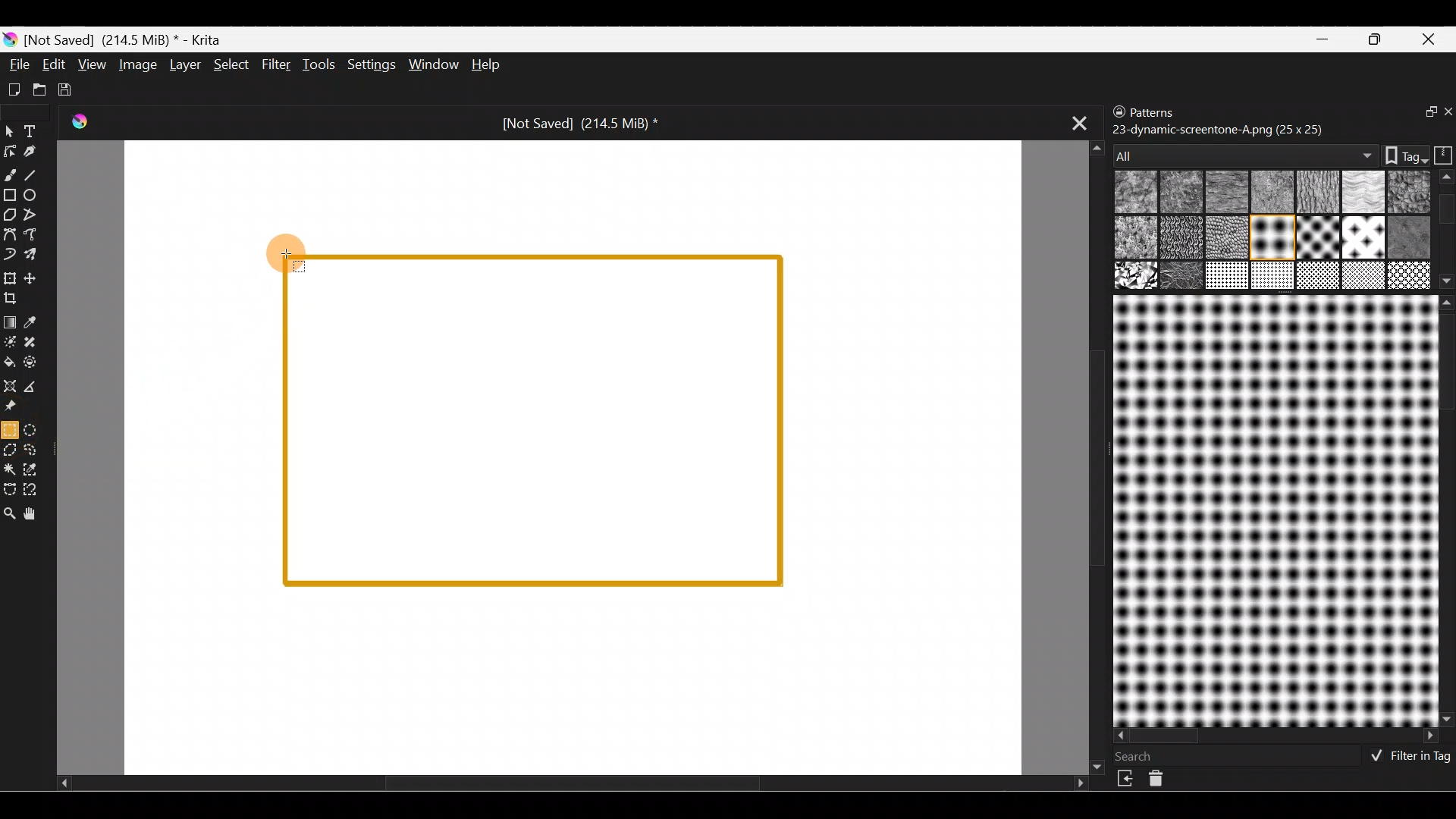 The width and height of the screenshot is (1456, 819). I want to click on Freehand path tool, so click(33, 234).